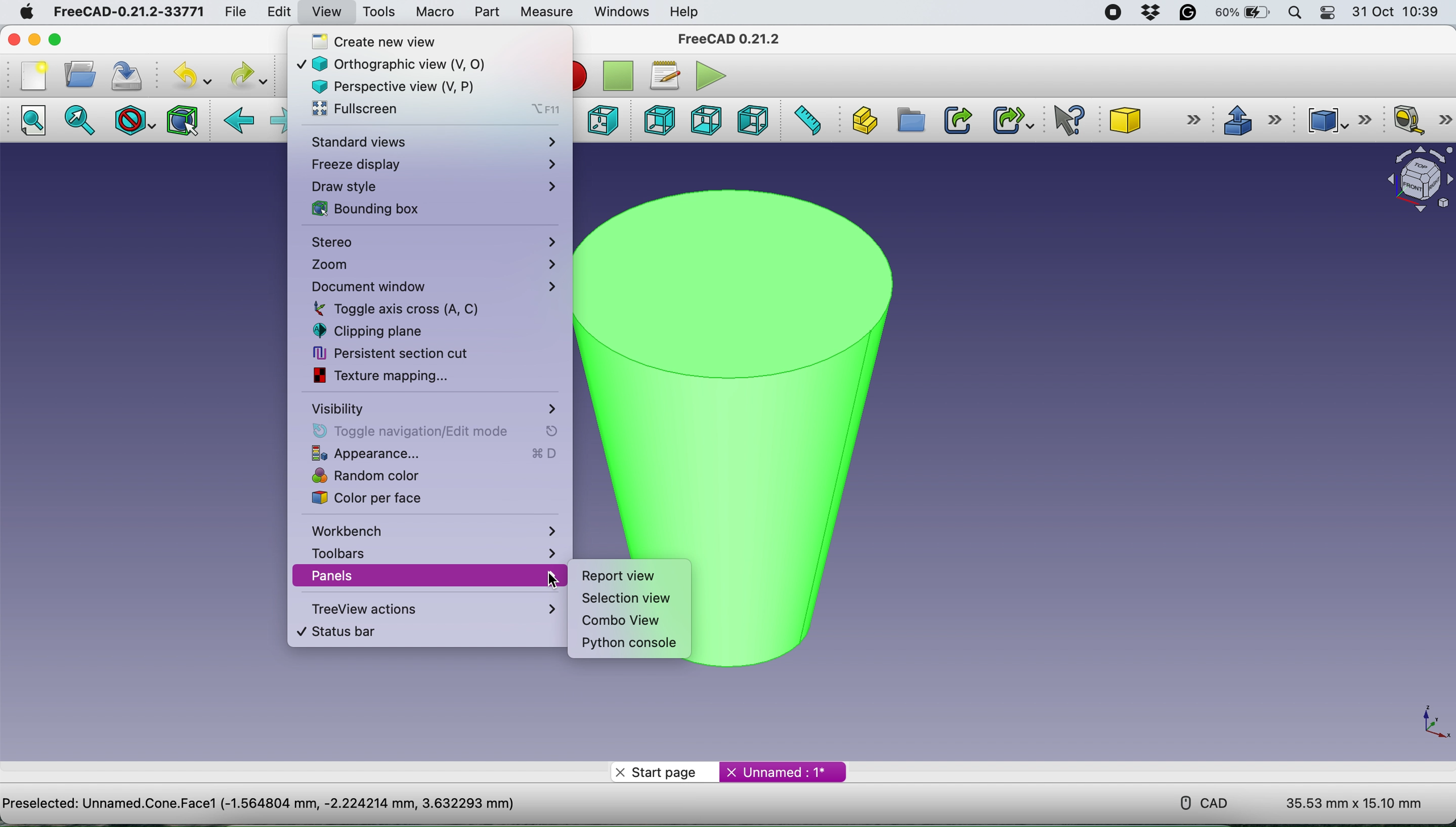 Image resolution: width=1456 pixels, height=827 pixels. I want to click on toolbars , so click(431, 552).